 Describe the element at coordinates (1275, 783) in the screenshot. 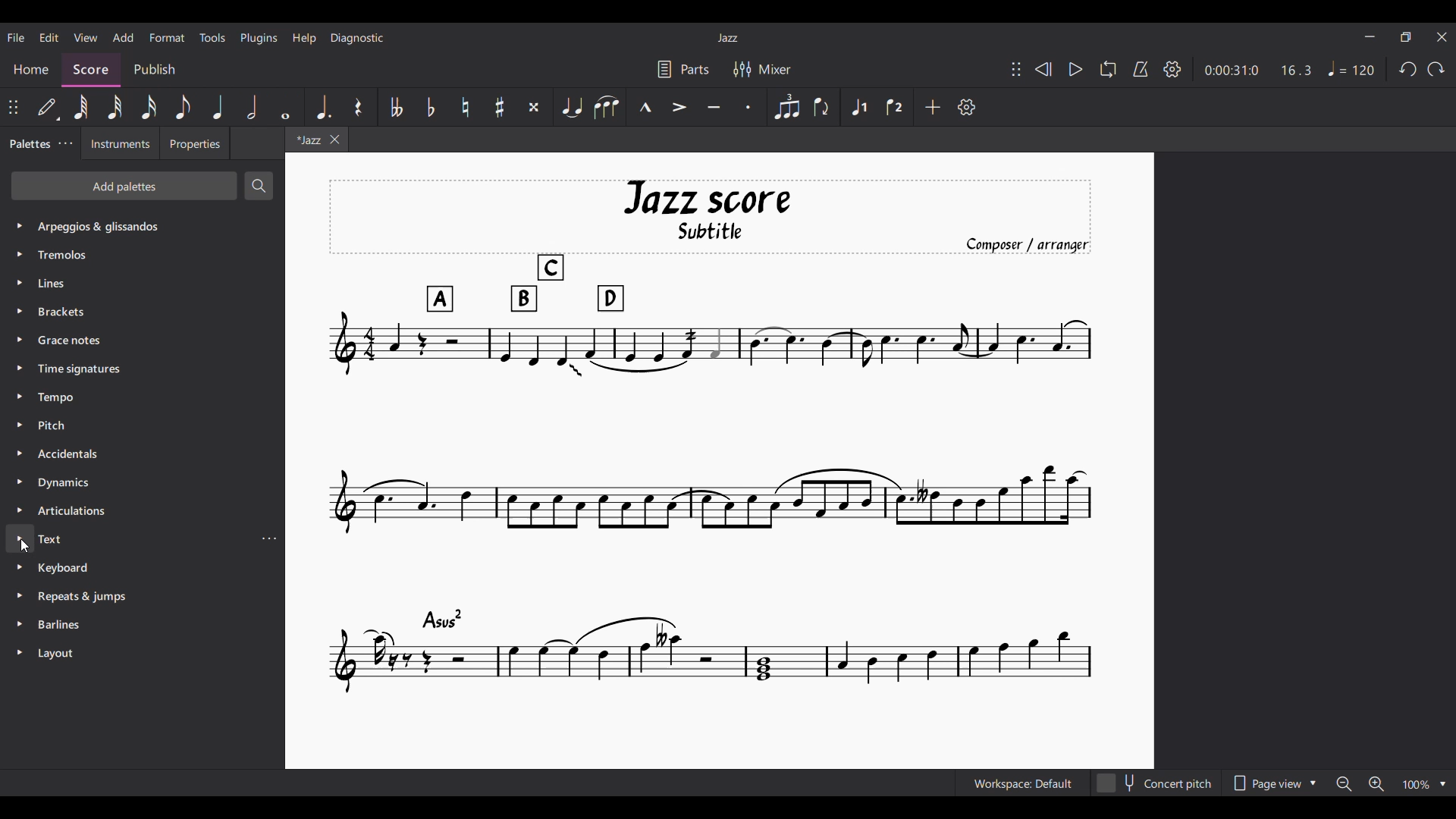

I see `Preview options` at that location.